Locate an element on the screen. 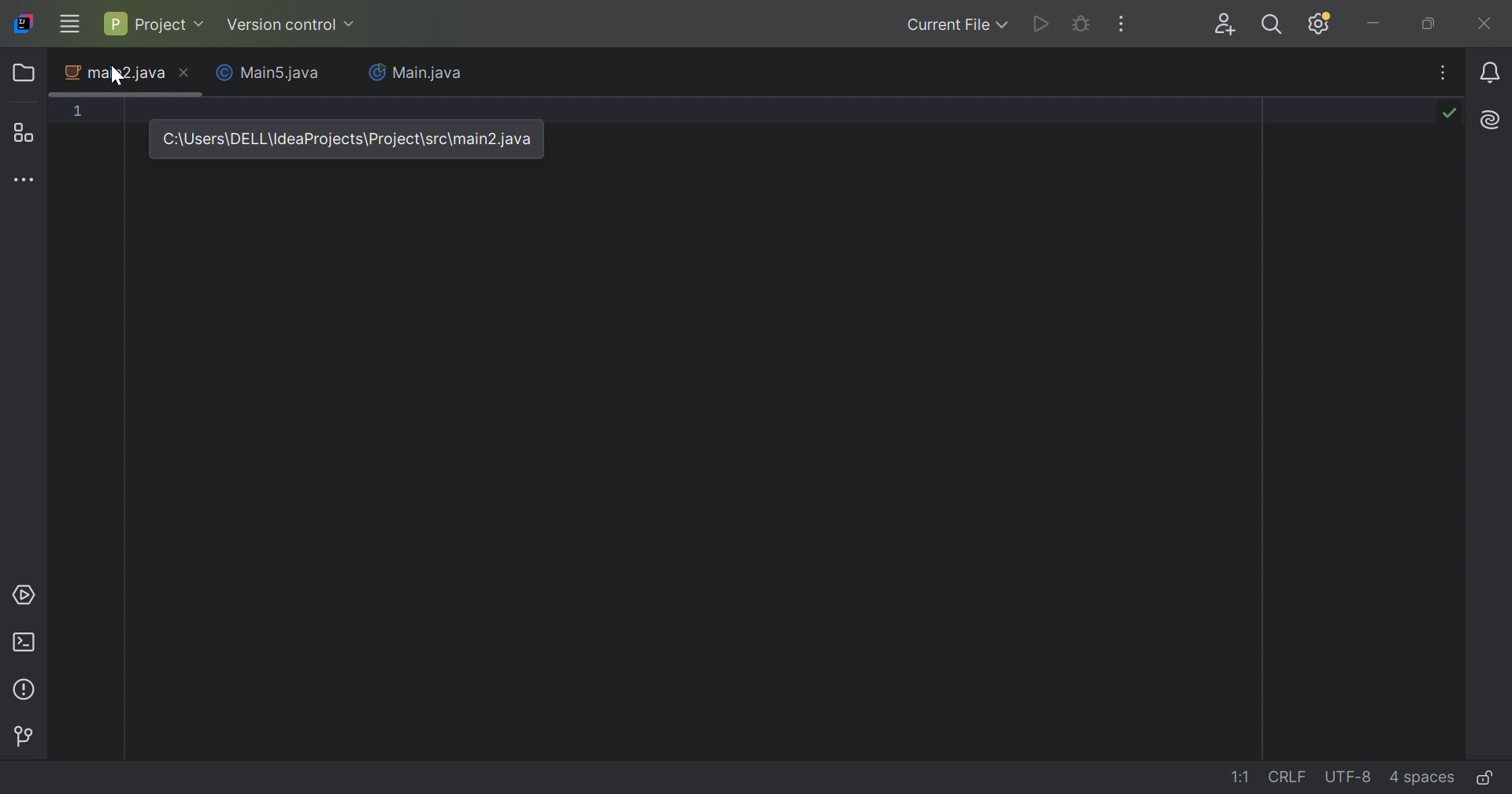  1 is located at coordinates (79, 110).